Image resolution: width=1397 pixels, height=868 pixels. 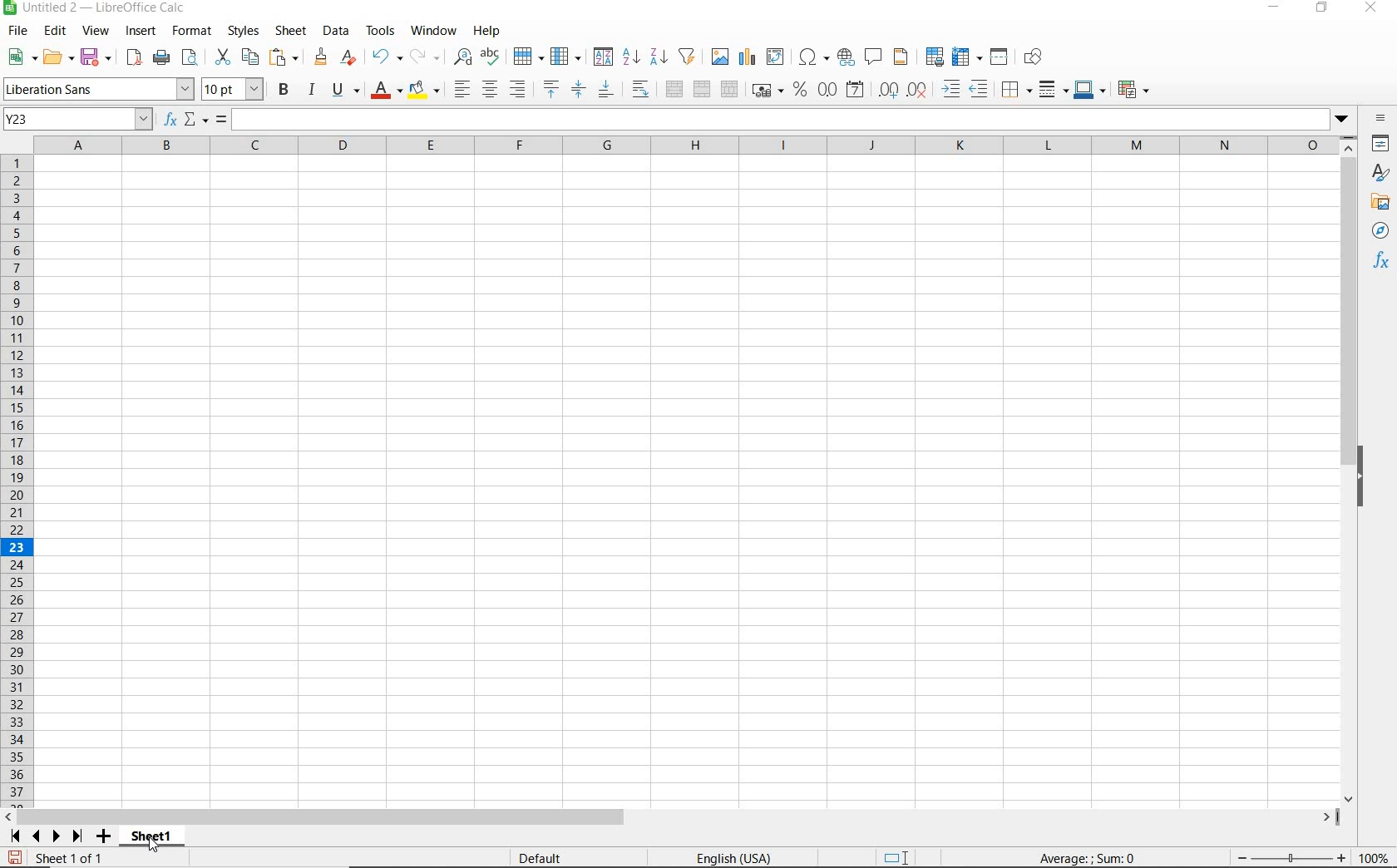 What do you see at coordinates (1291, 859) in the screenshot?
I see `ZOOM OUT OR ZOOM IN` at bounding box center [1291, 859].